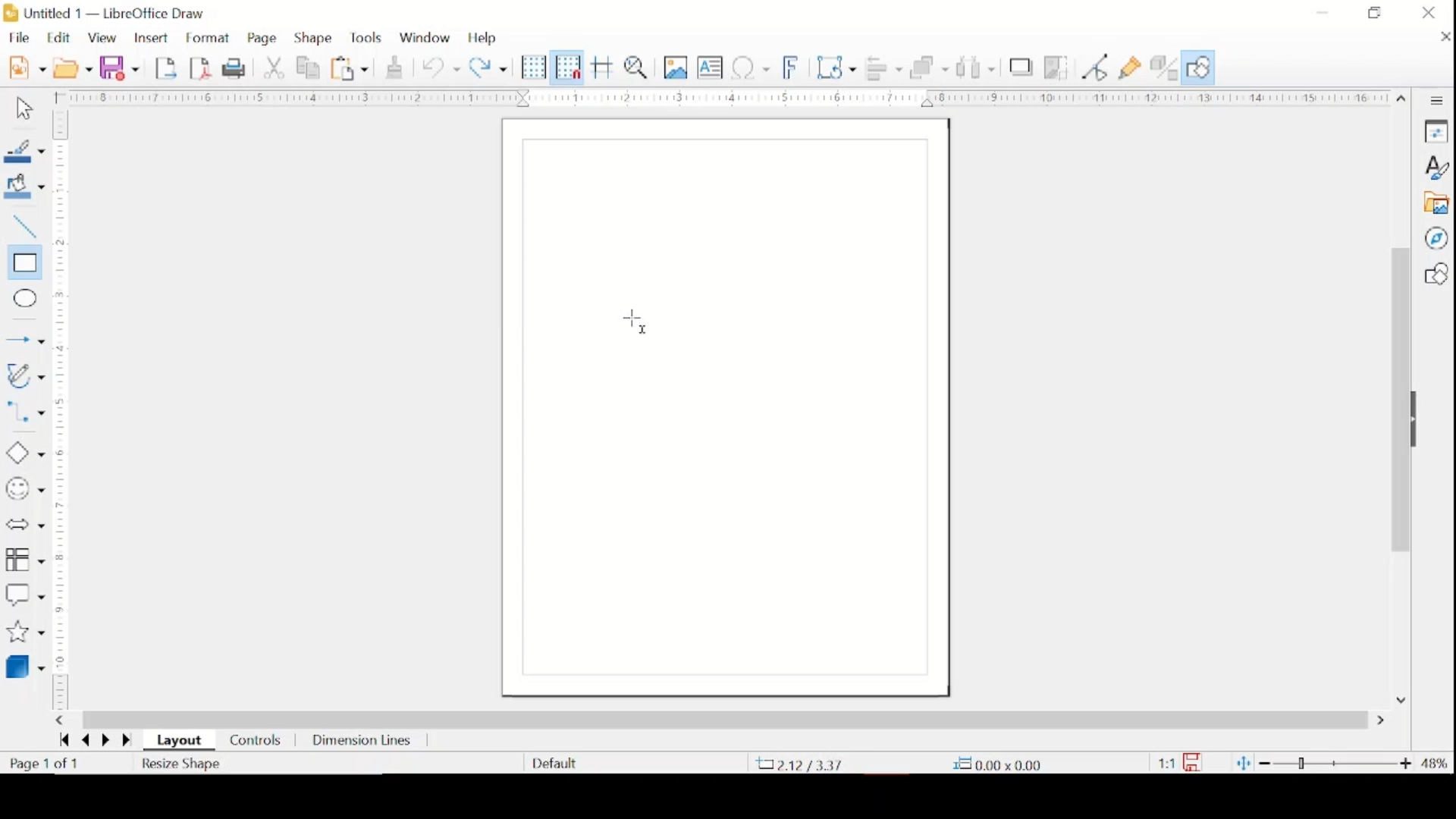 This screenshot has width=1456, height=819. What do you see at coordinates (1337, 763) in the screenshot?
I see `zoom slider` at bounding box center [1337, 763].